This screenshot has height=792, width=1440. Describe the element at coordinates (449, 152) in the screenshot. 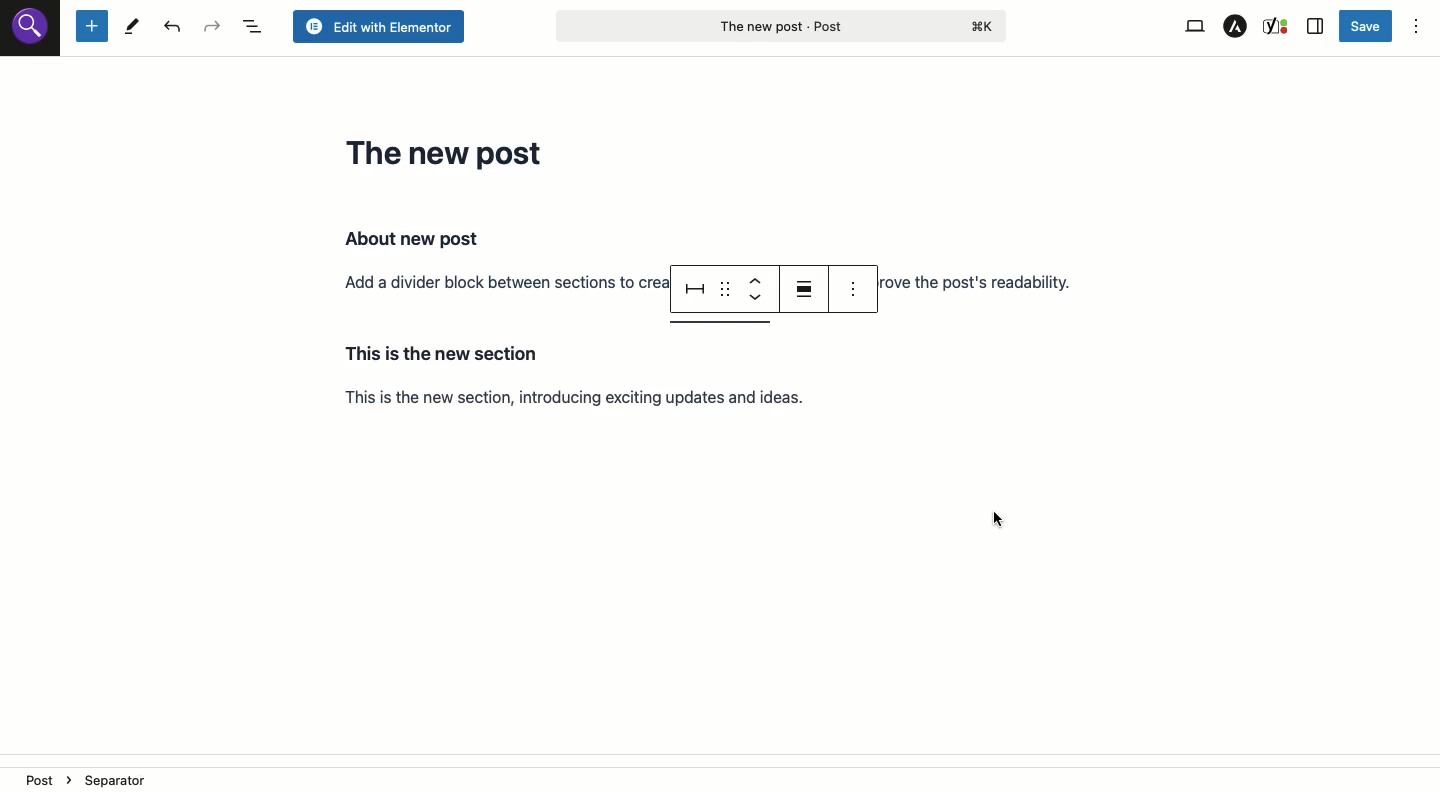

I see `Headline` at that location.